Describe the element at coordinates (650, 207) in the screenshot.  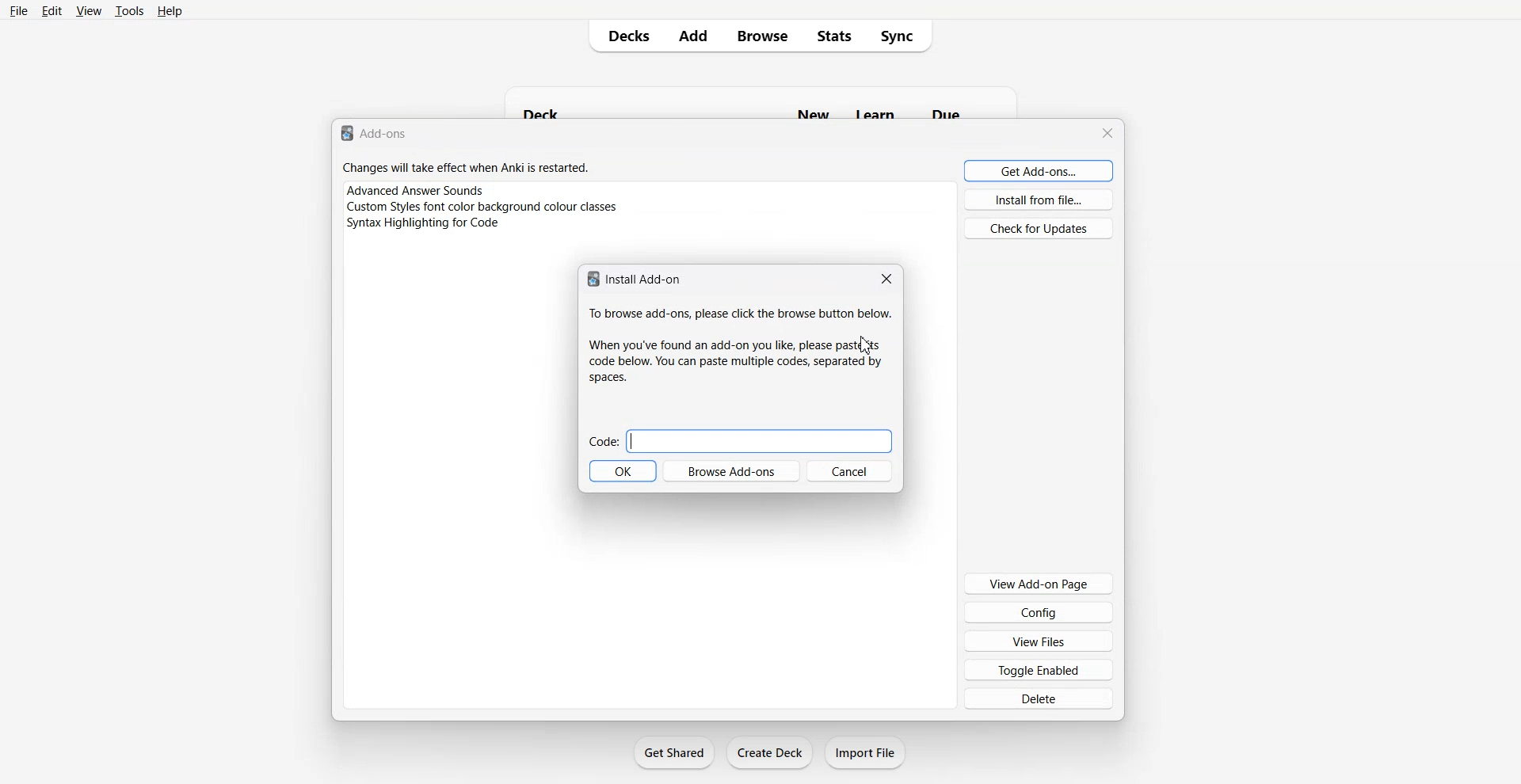
I see `Plugins` at that location.